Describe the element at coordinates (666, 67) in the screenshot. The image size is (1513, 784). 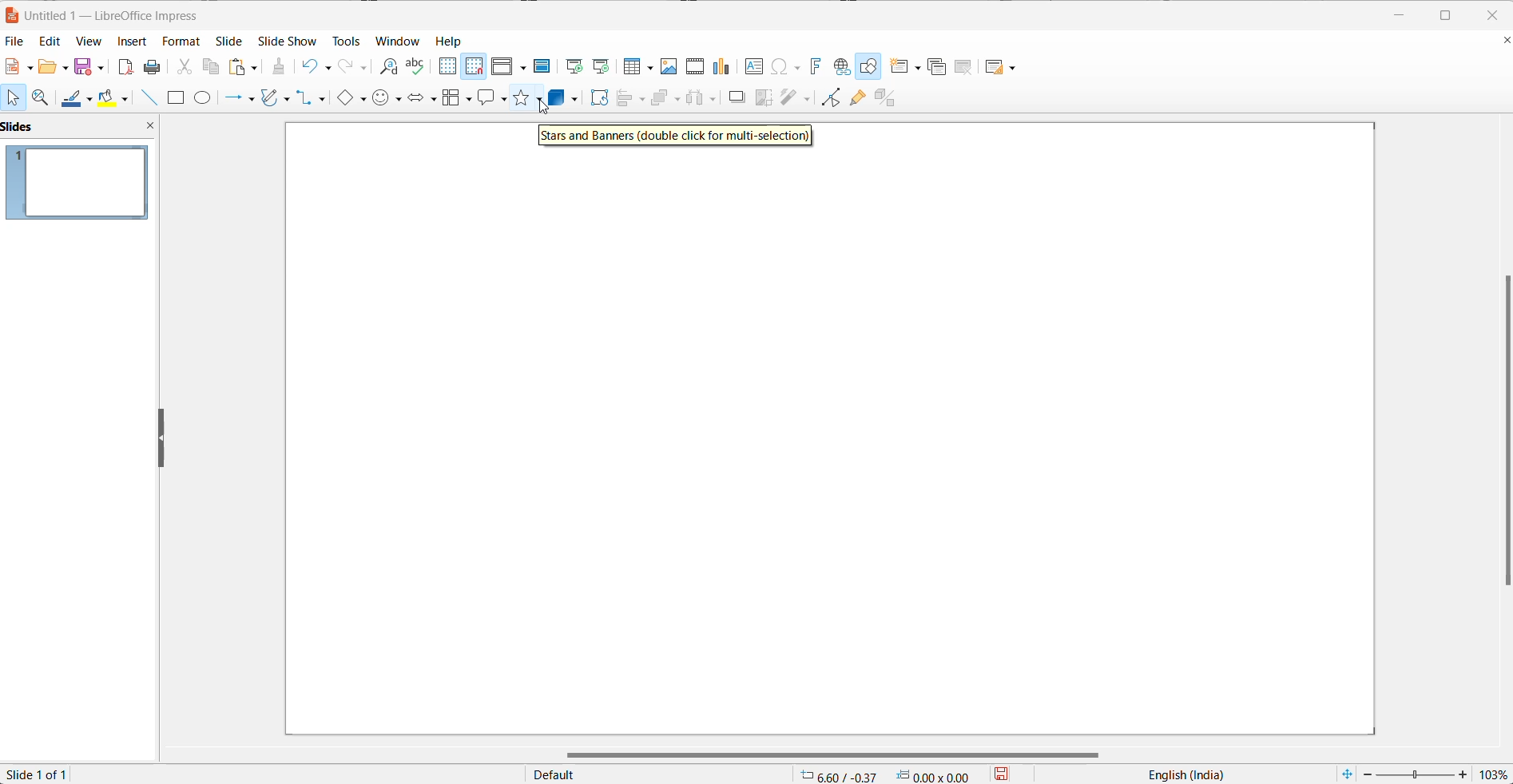
I see `insert image` at that location.